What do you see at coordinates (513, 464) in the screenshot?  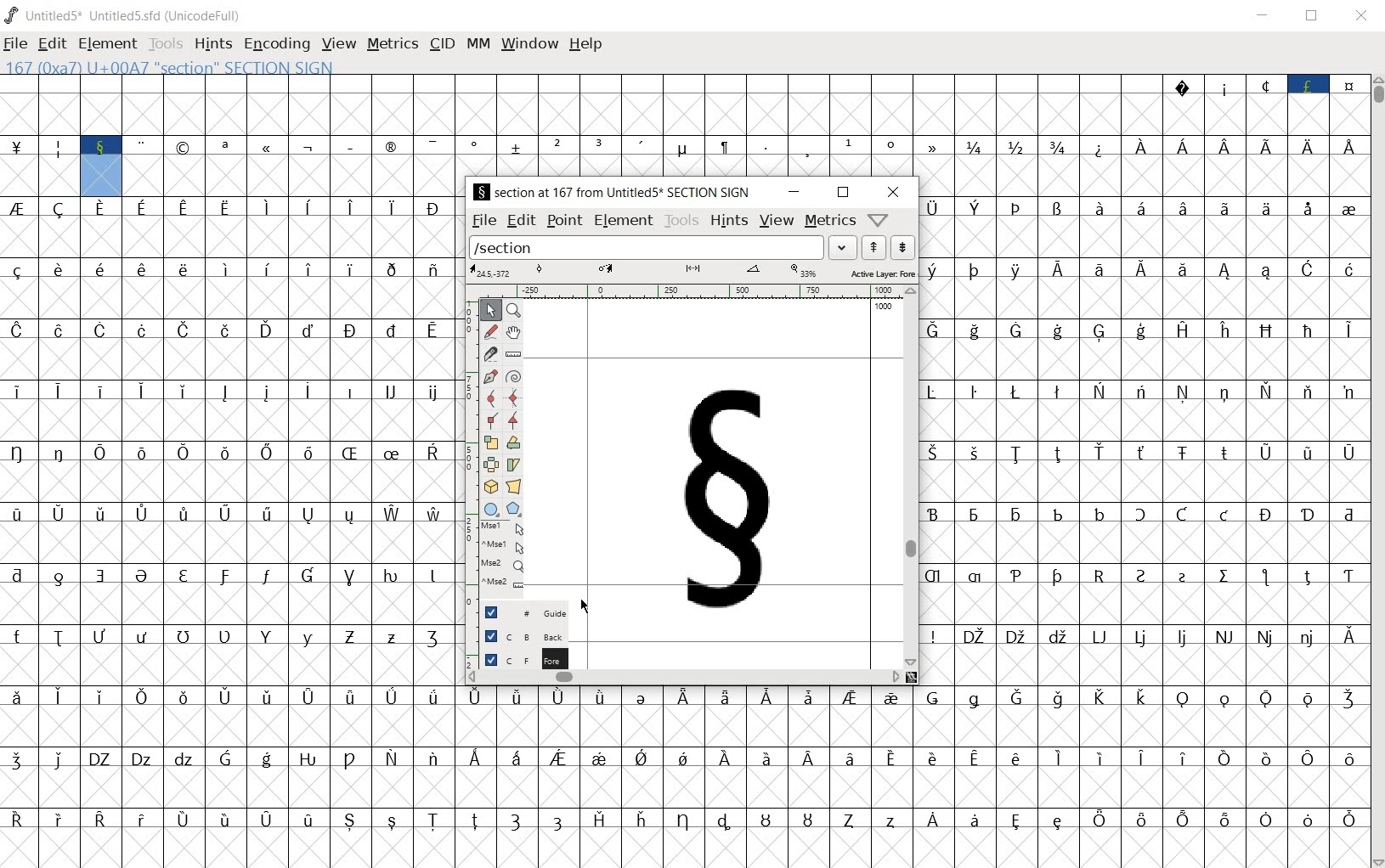 I see `skew the selection` at bounding box center [513, 464].